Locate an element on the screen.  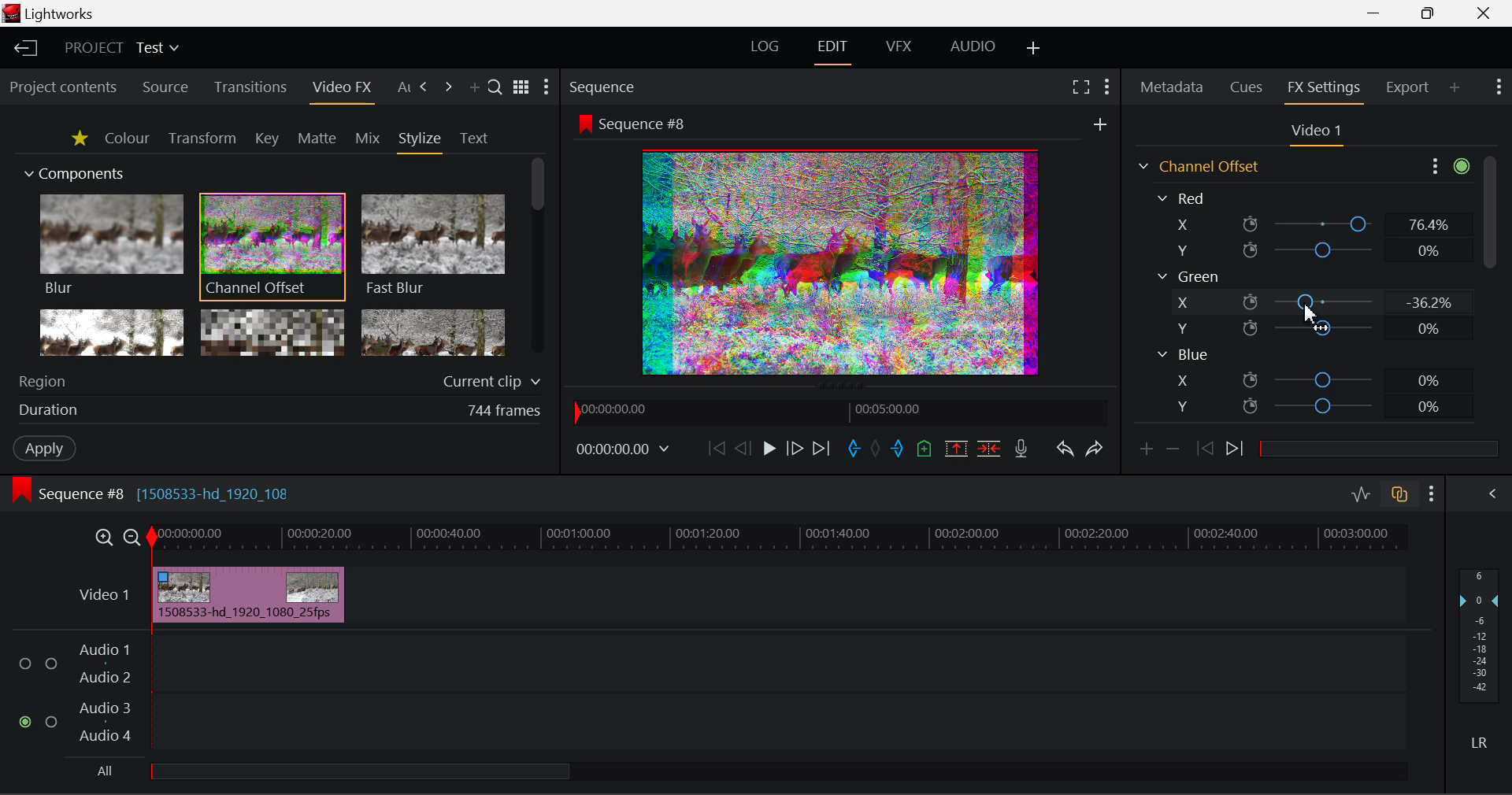
Channel Offset is located at coordinates (1196, 166).